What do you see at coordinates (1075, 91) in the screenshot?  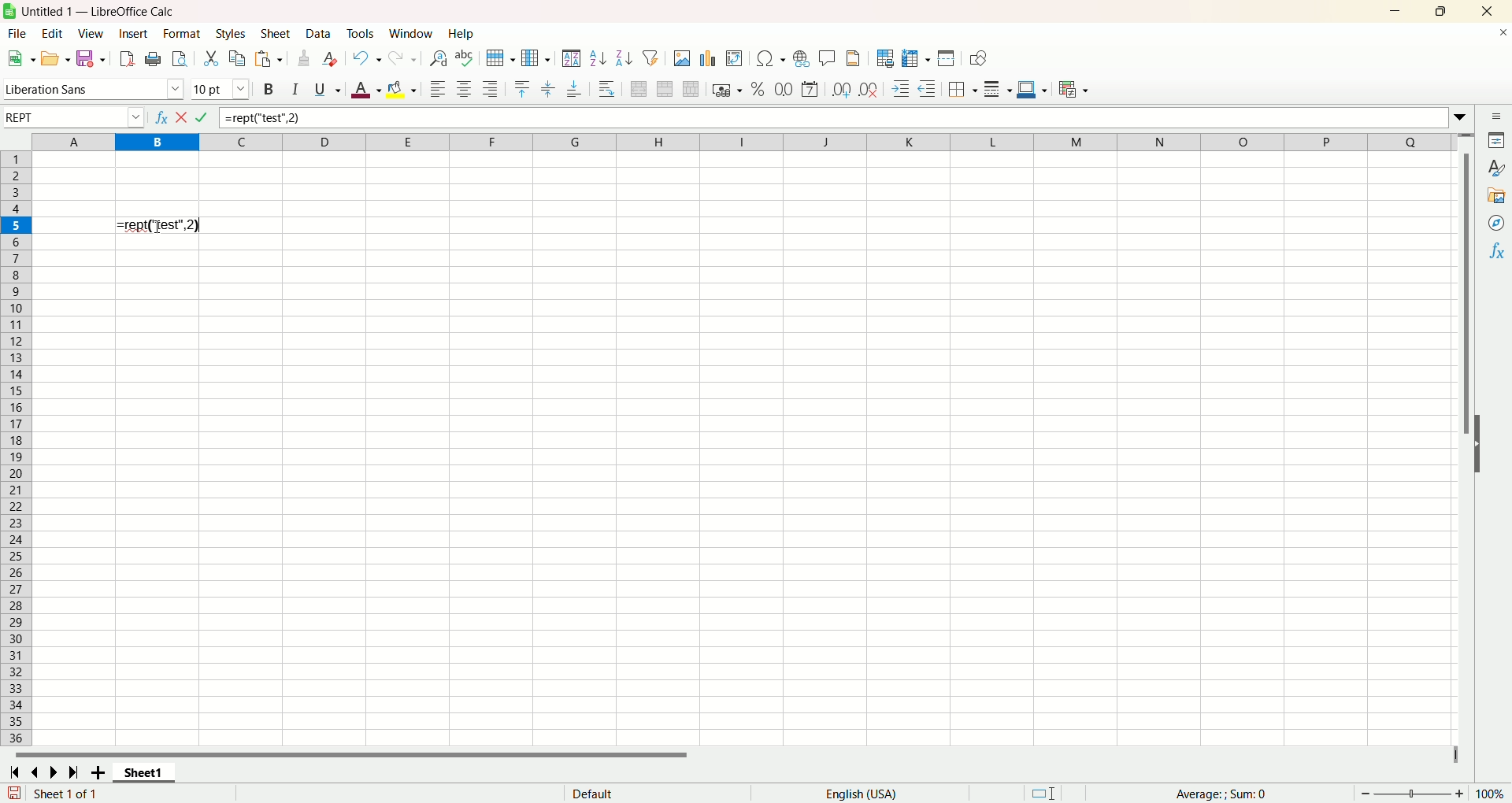 I see `conditional` at bounding box center [1075, 91].